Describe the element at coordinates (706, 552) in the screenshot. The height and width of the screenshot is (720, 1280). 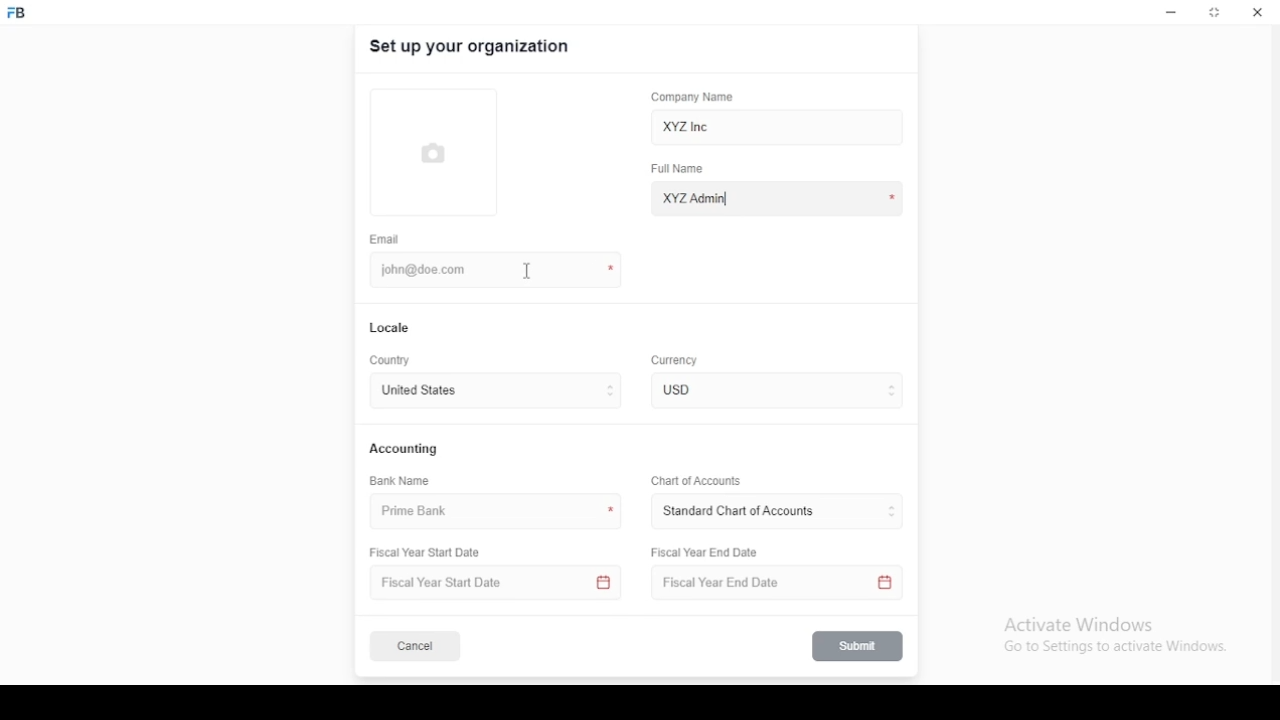
I see `Fiscal Year End Date` at that location.